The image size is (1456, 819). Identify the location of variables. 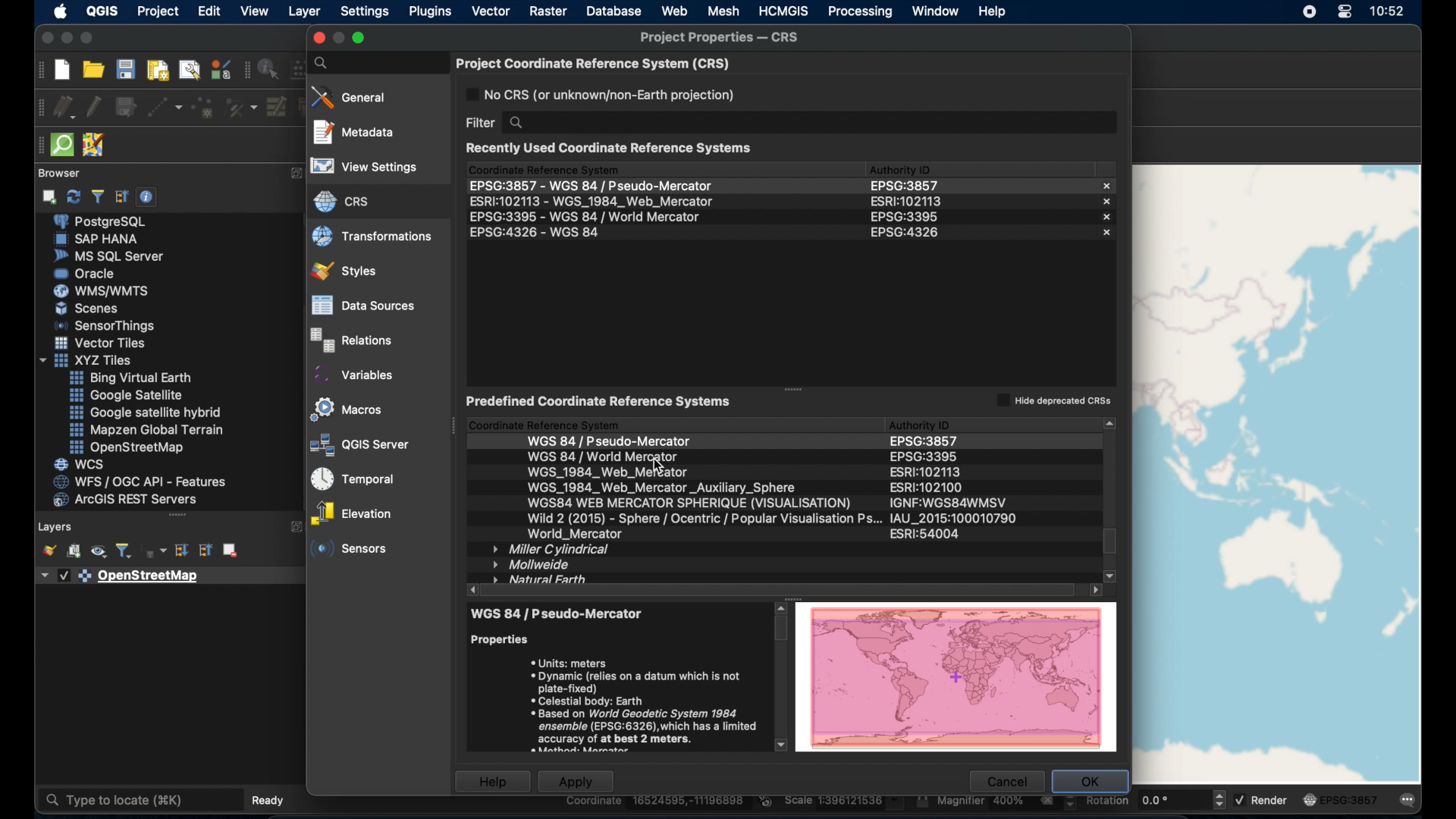
(355, 373).